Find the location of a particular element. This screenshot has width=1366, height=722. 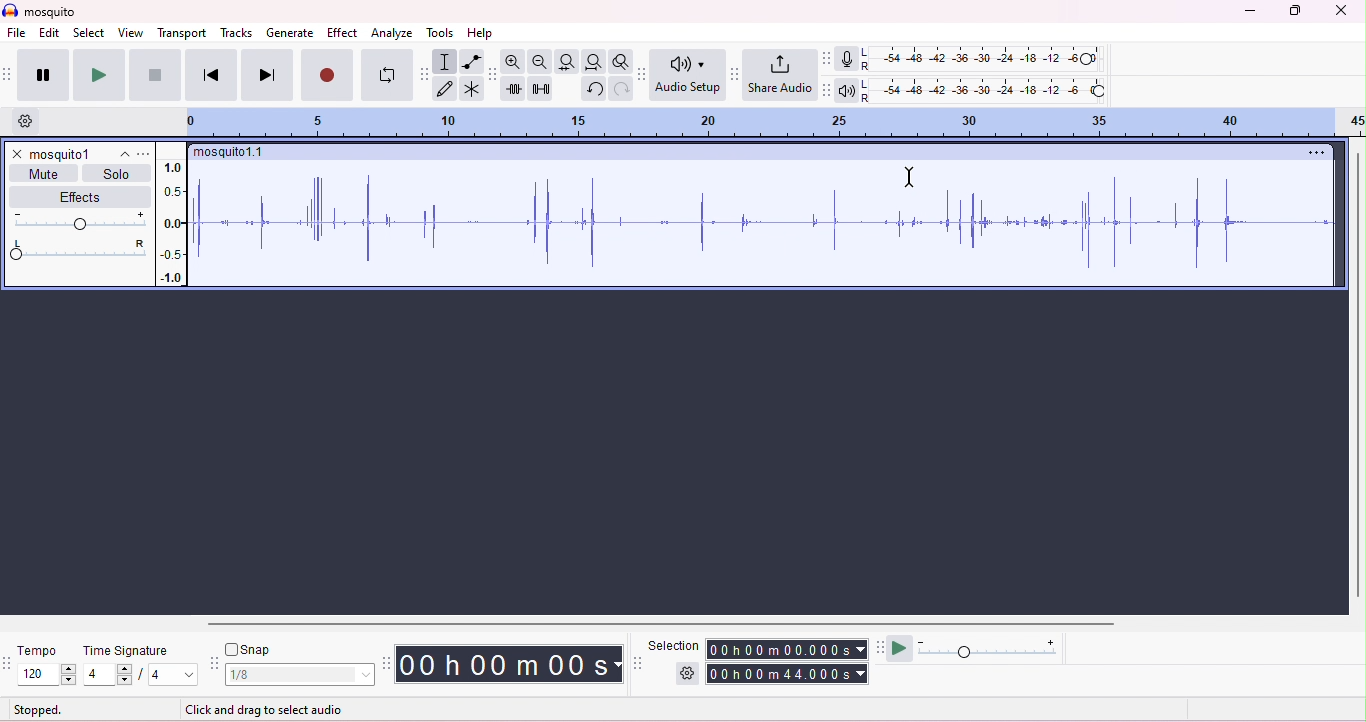

selection is located at coordinates (674, 645).